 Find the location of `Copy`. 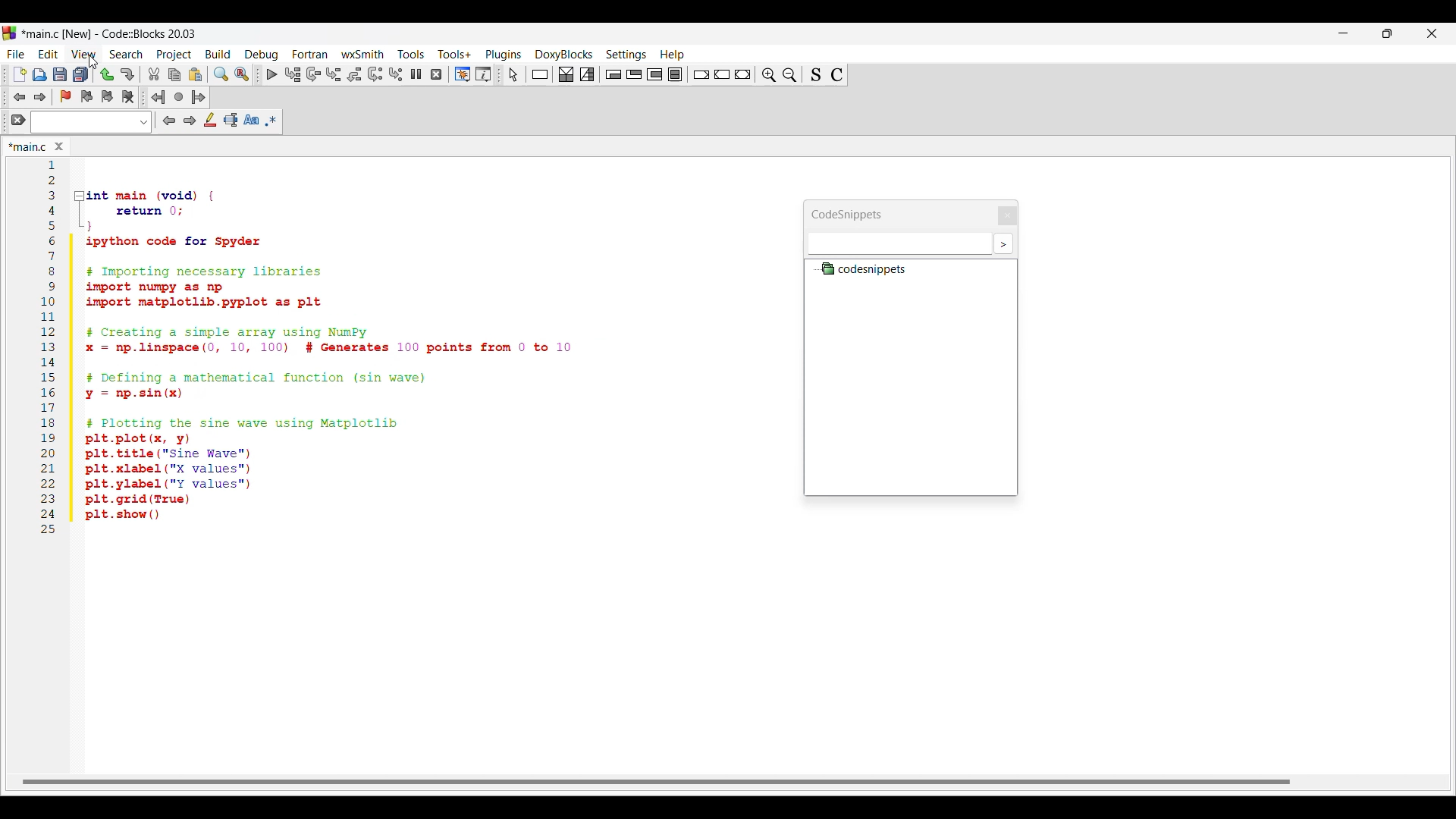

Copy is located at coordinates (174, 74).